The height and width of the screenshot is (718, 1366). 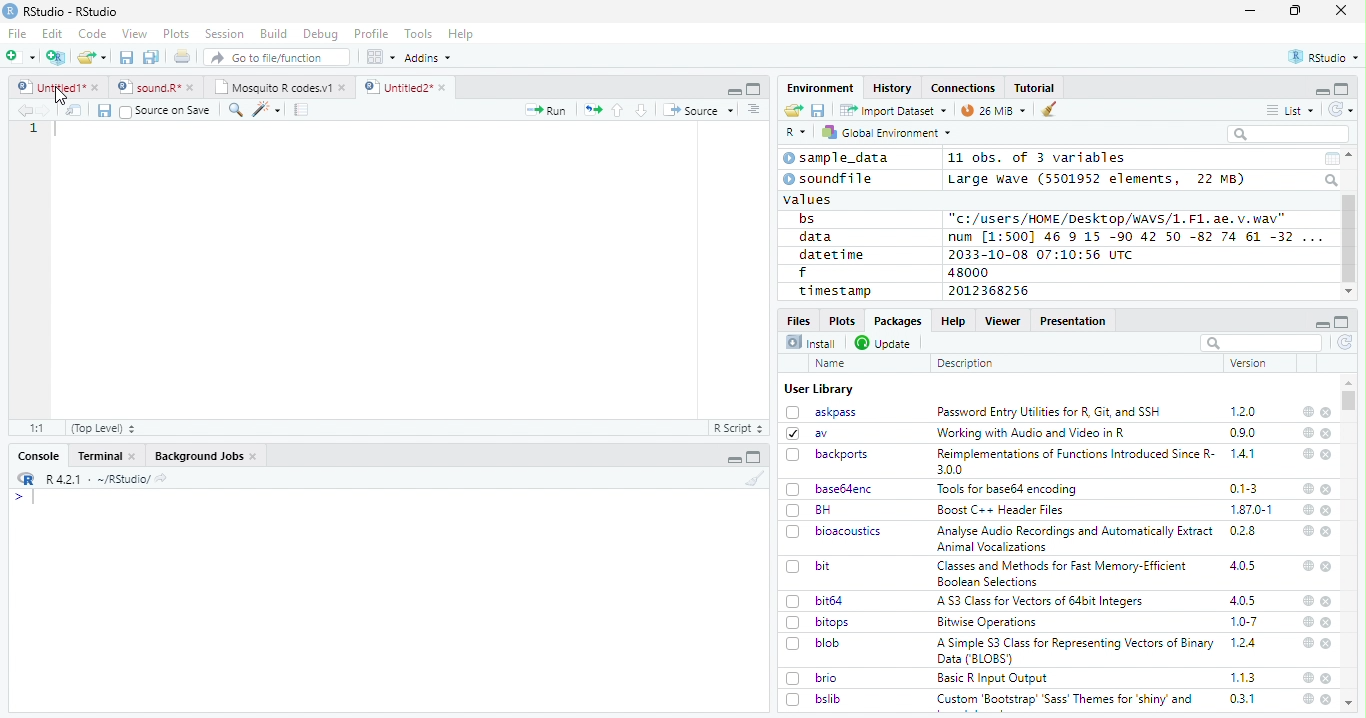 I want to click on Full screen, so click(x=754, y=88).